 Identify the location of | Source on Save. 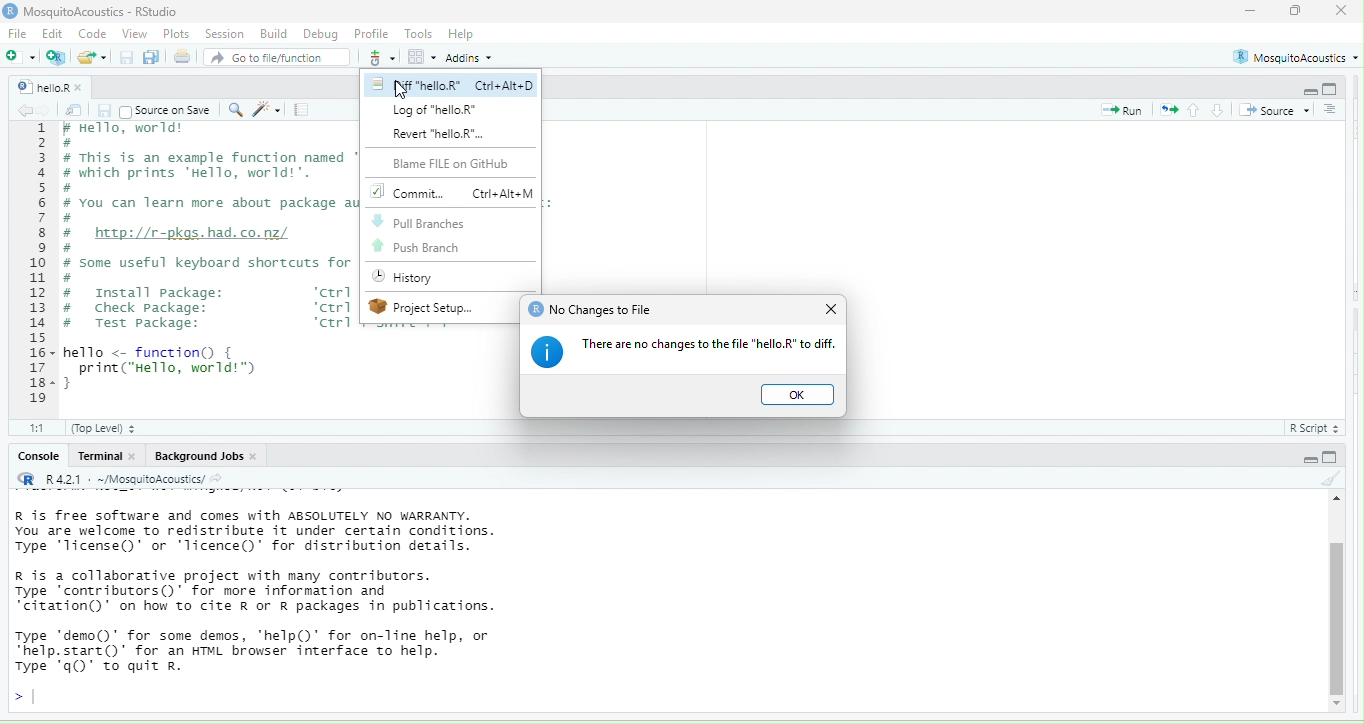
(169, 112).